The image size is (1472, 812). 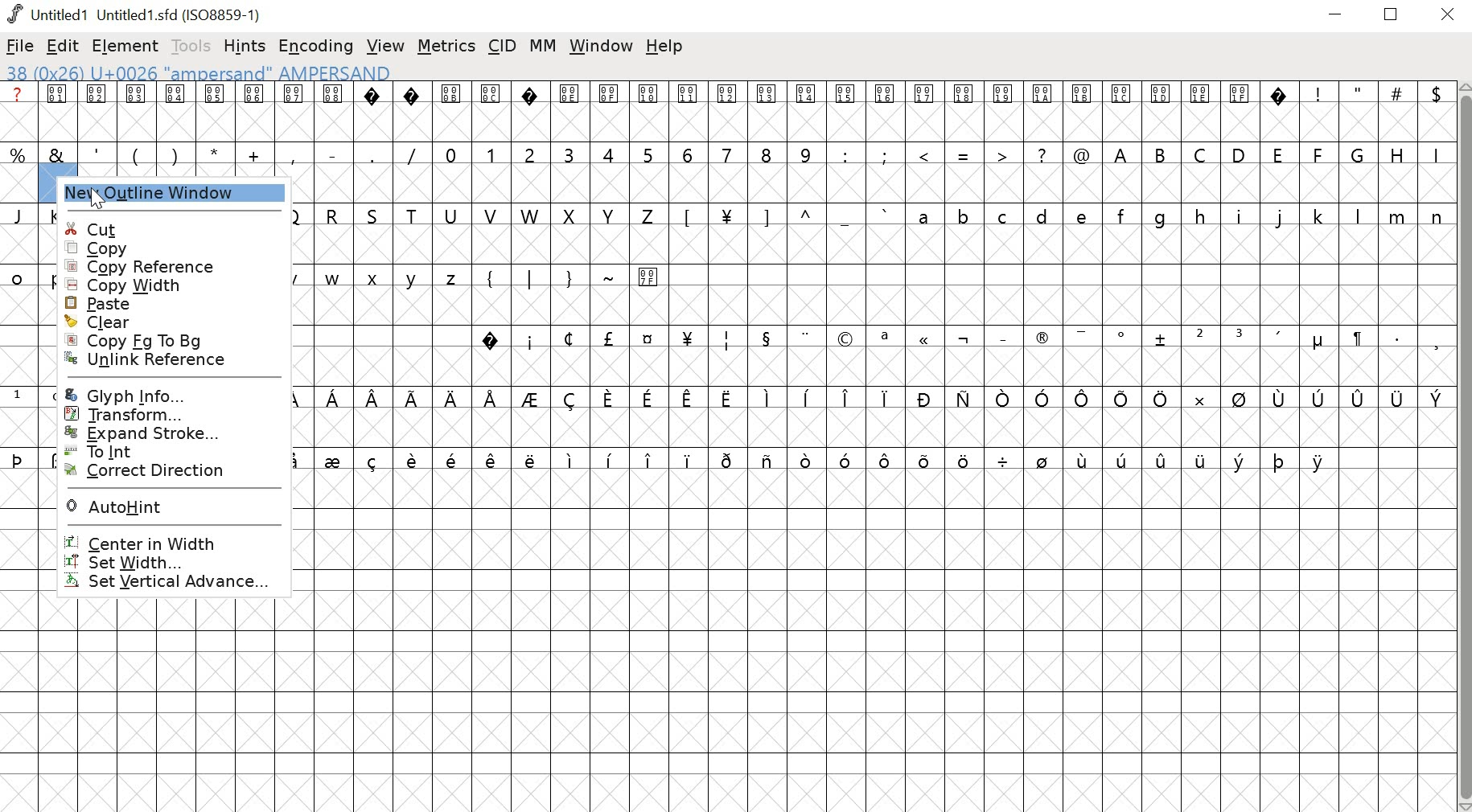 I want to click on -, so click(x=331, y=152).